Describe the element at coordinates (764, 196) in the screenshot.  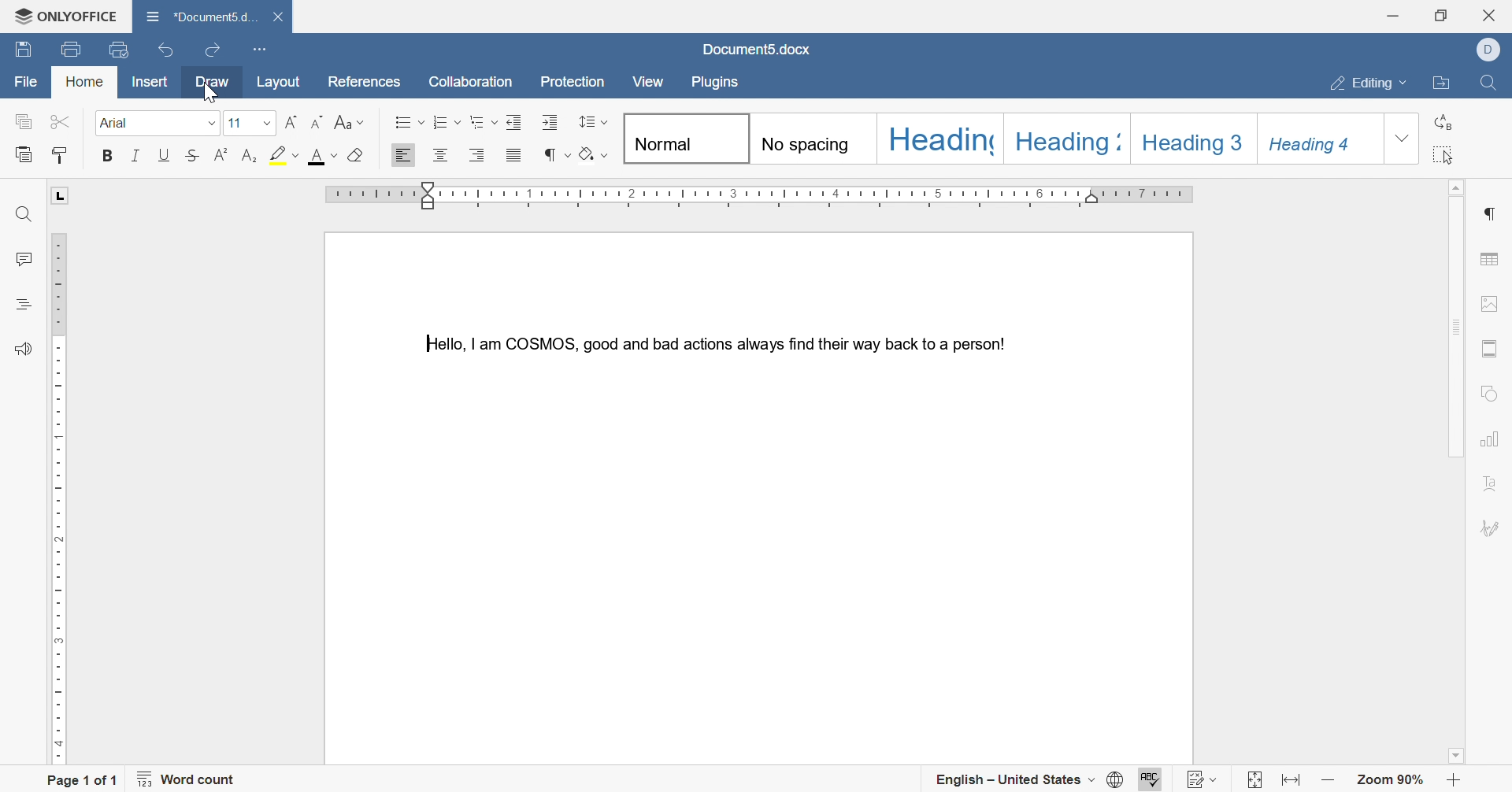
I see `ruler` at that location.